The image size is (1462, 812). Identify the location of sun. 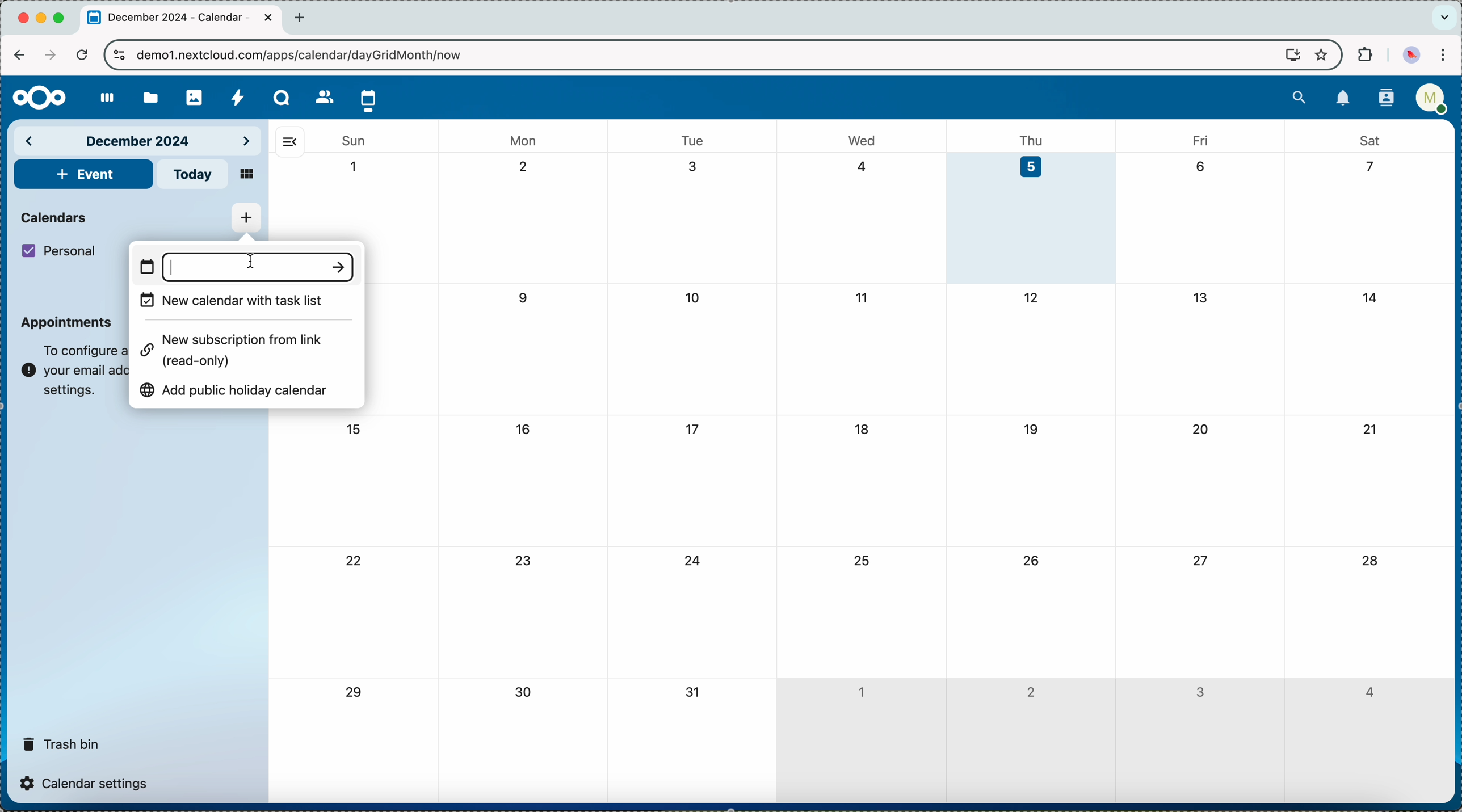
(352, 141).